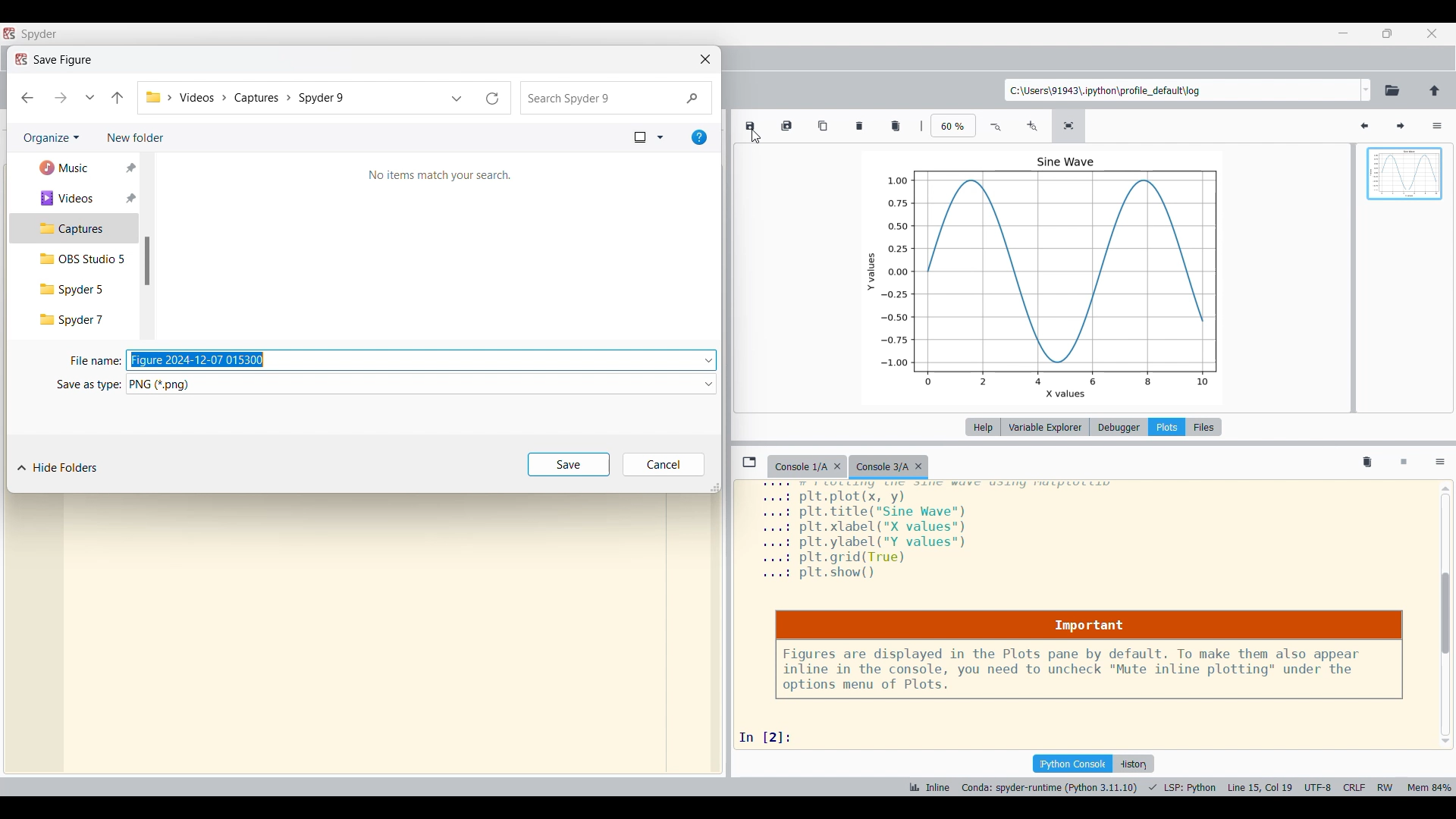 This screenshot has height=819, width=1456. What do you see at coordinates (1068, 126) in the screenshot?
I see `Fit plot to pane size, current selection highlighted` at bounding box center [1068, 126].